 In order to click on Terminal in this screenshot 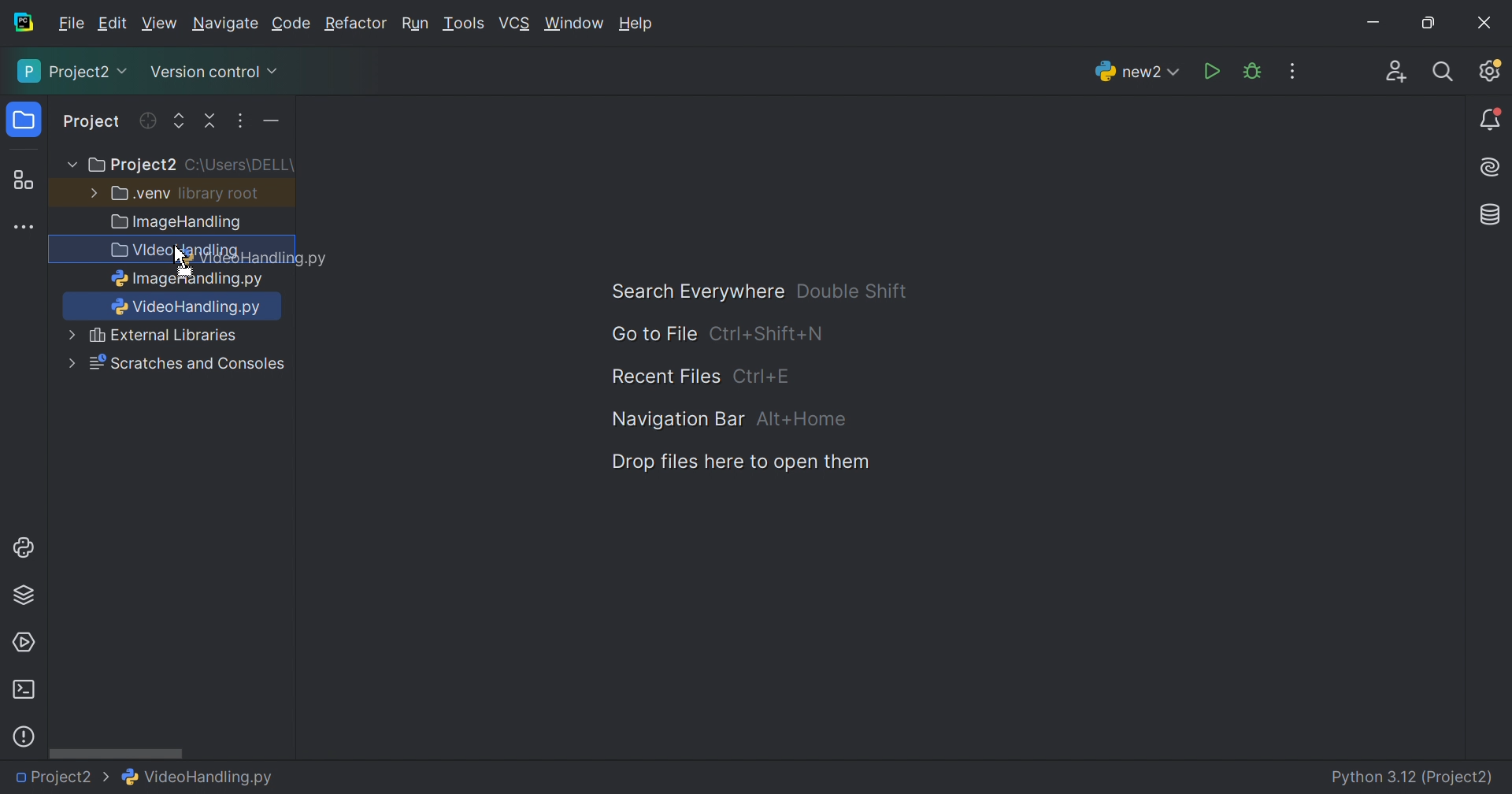, I will do `click(23, 690)`.